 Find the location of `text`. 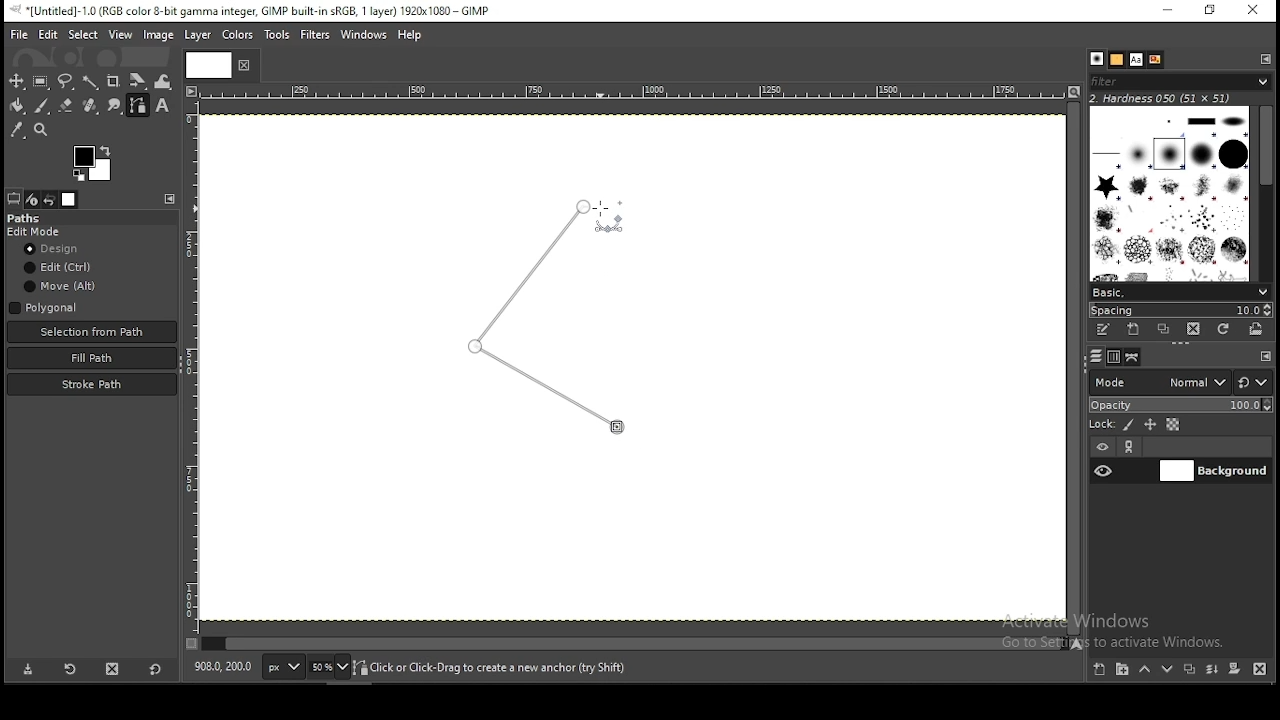

text is located at coordinates (1135, 59).